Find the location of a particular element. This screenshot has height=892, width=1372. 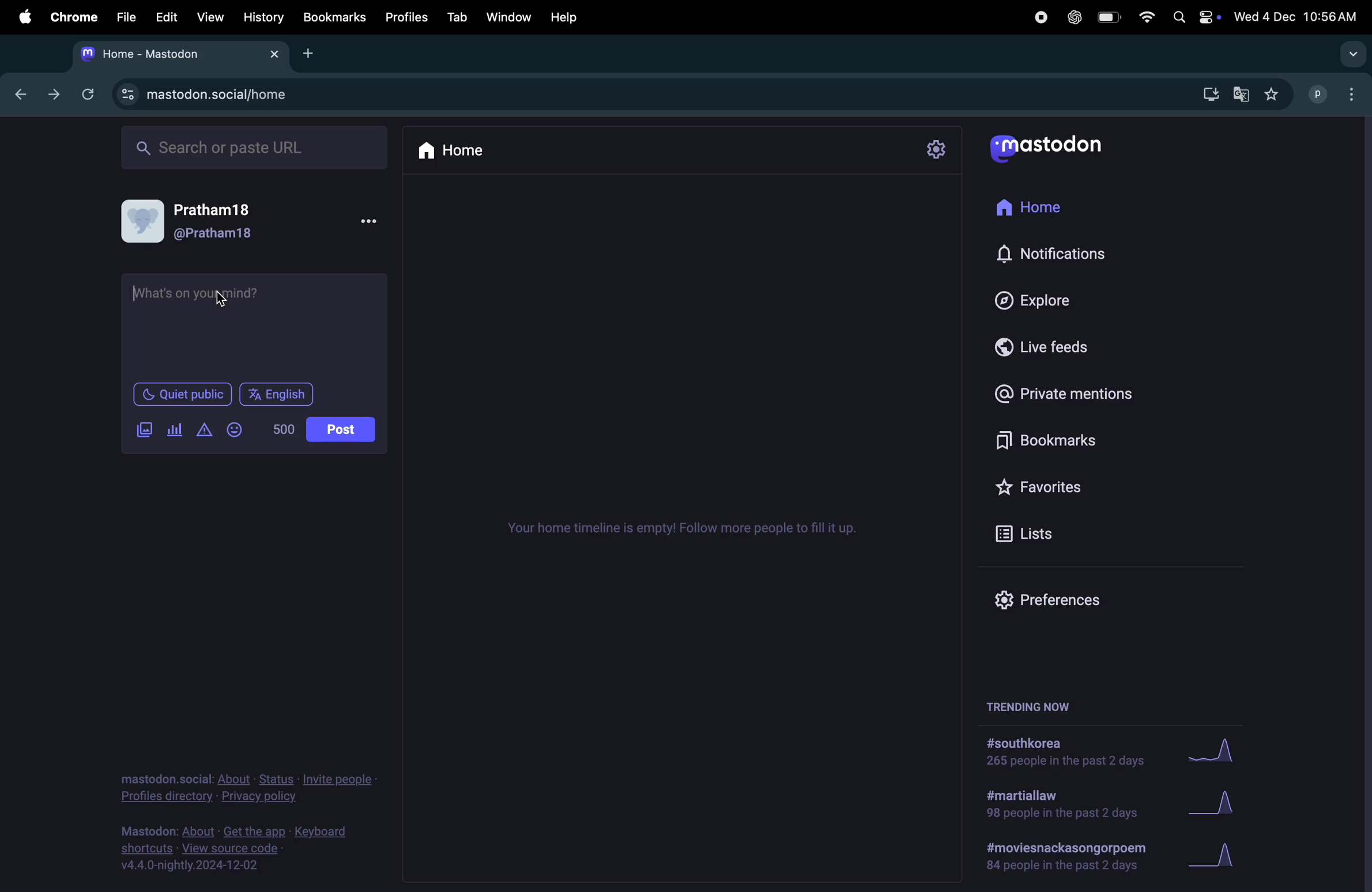

drop down is located at coordinates (1349, 54).